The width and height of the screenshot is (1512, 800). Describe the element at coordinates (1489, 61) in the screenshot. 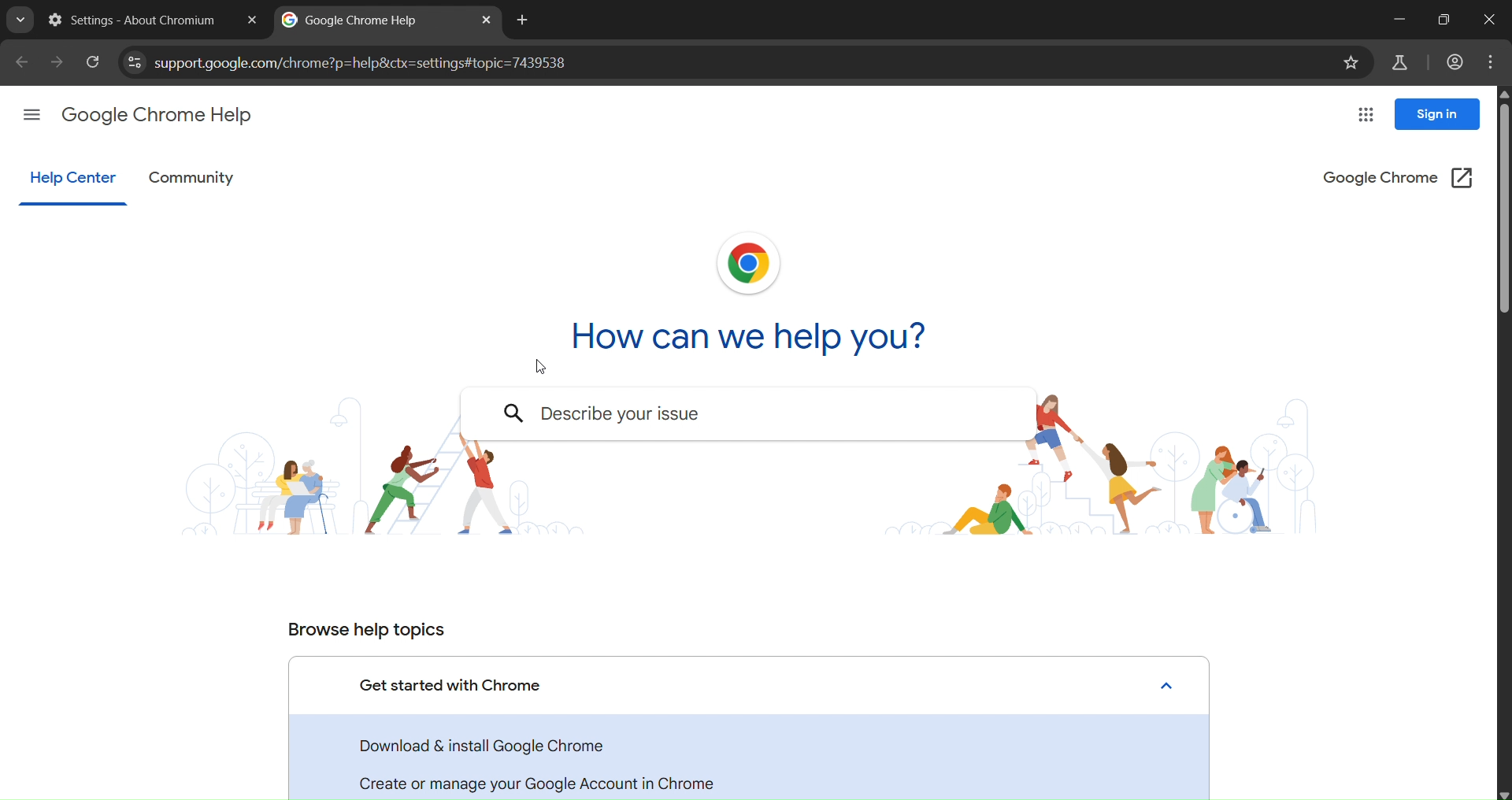

I see `menu` at that location.